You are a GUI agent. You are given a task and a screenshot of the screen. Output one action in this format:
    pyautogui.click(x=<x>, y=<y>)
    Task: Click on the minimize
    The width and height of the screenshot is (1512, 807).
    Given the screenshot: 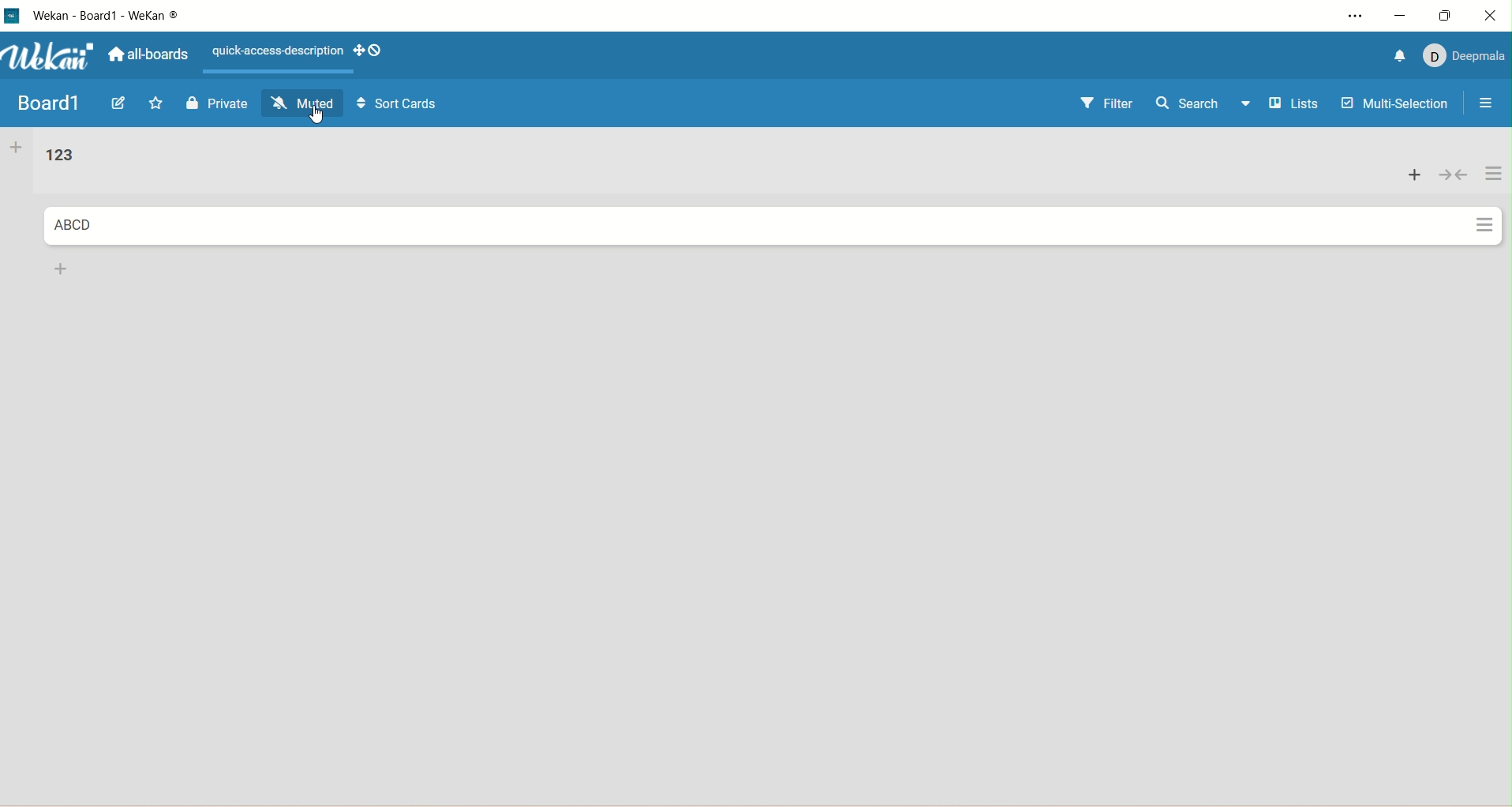 What is the action you would take?
    pyautogui.click(x=1399, y=17)
    